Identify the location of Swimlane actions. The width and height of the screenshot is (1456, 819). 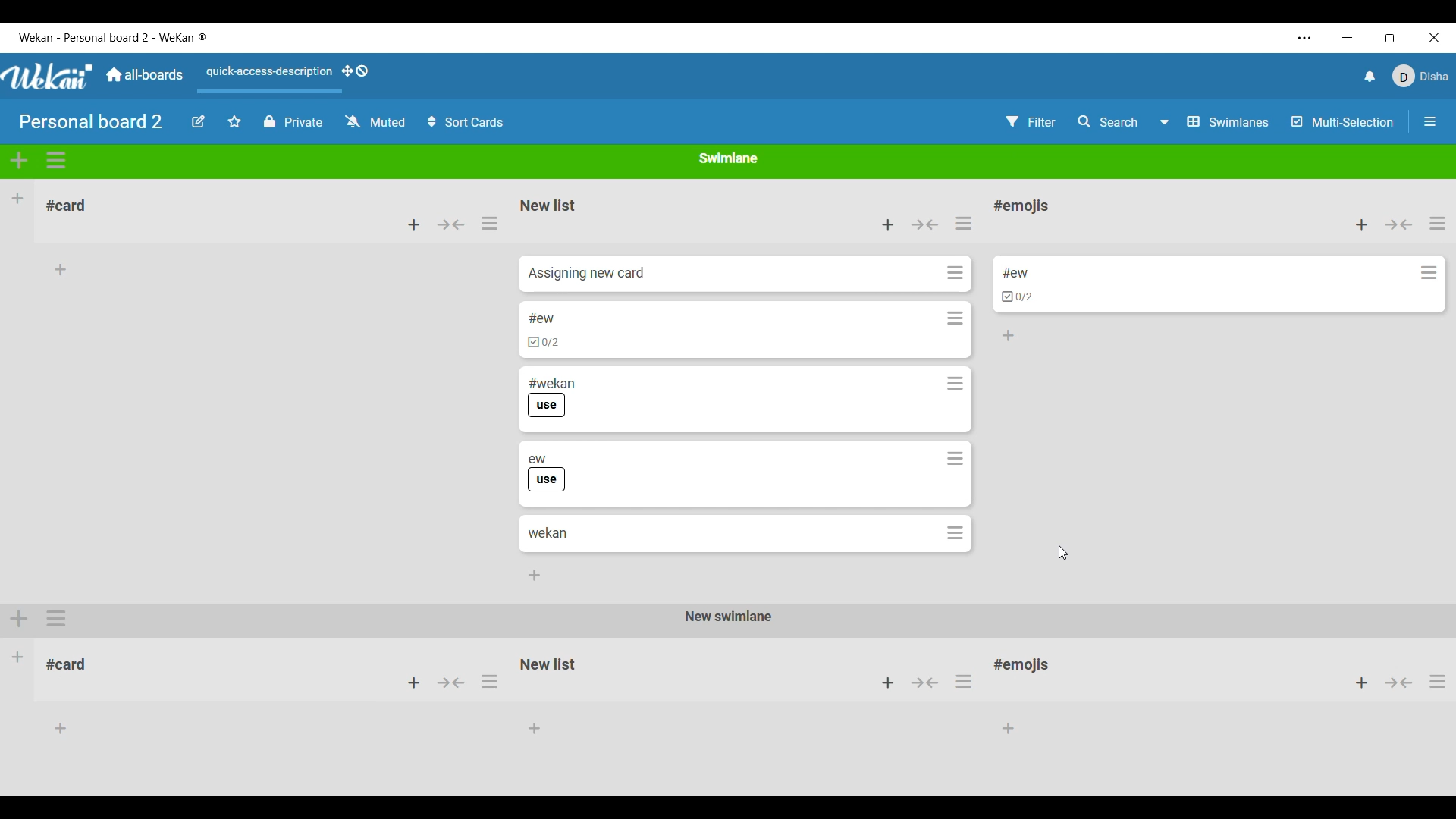
(56, 161).